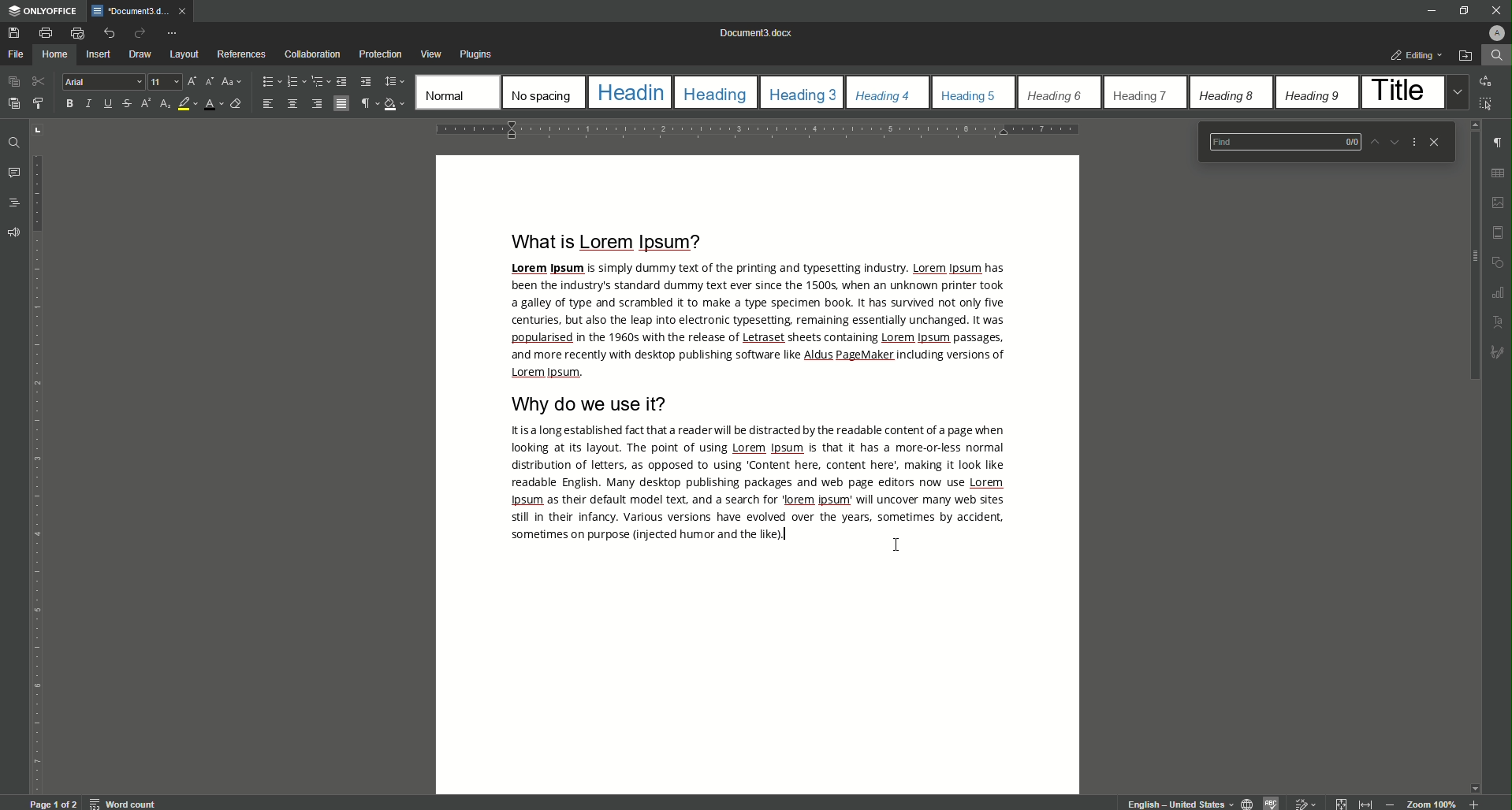 This screenshot has height=810, width=1512. Describe the element at coordinates (40, 526) in the screenshot. I see `vertical scale` at that location.